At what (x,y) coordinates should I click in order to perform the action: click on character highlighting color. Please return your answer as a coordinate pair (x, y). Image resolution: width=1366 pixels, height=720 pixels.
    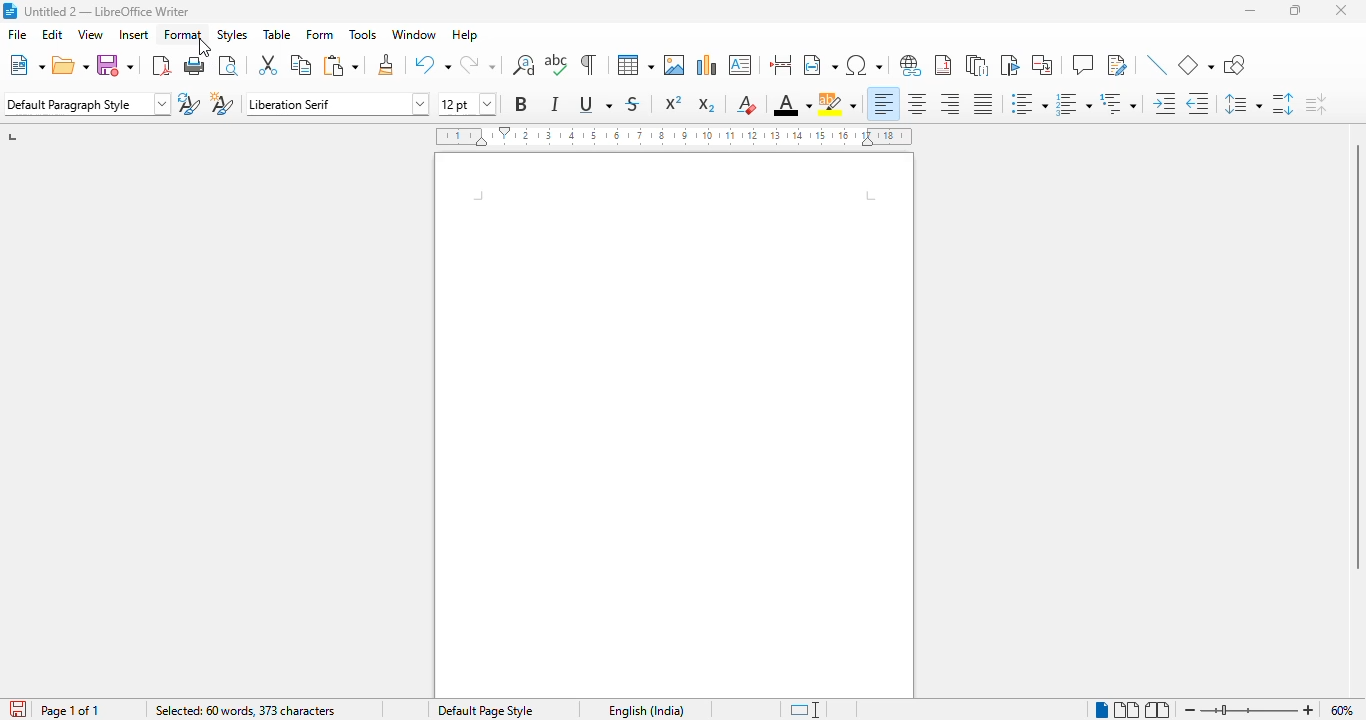
    Looking at the image, I should click on (838, 104).